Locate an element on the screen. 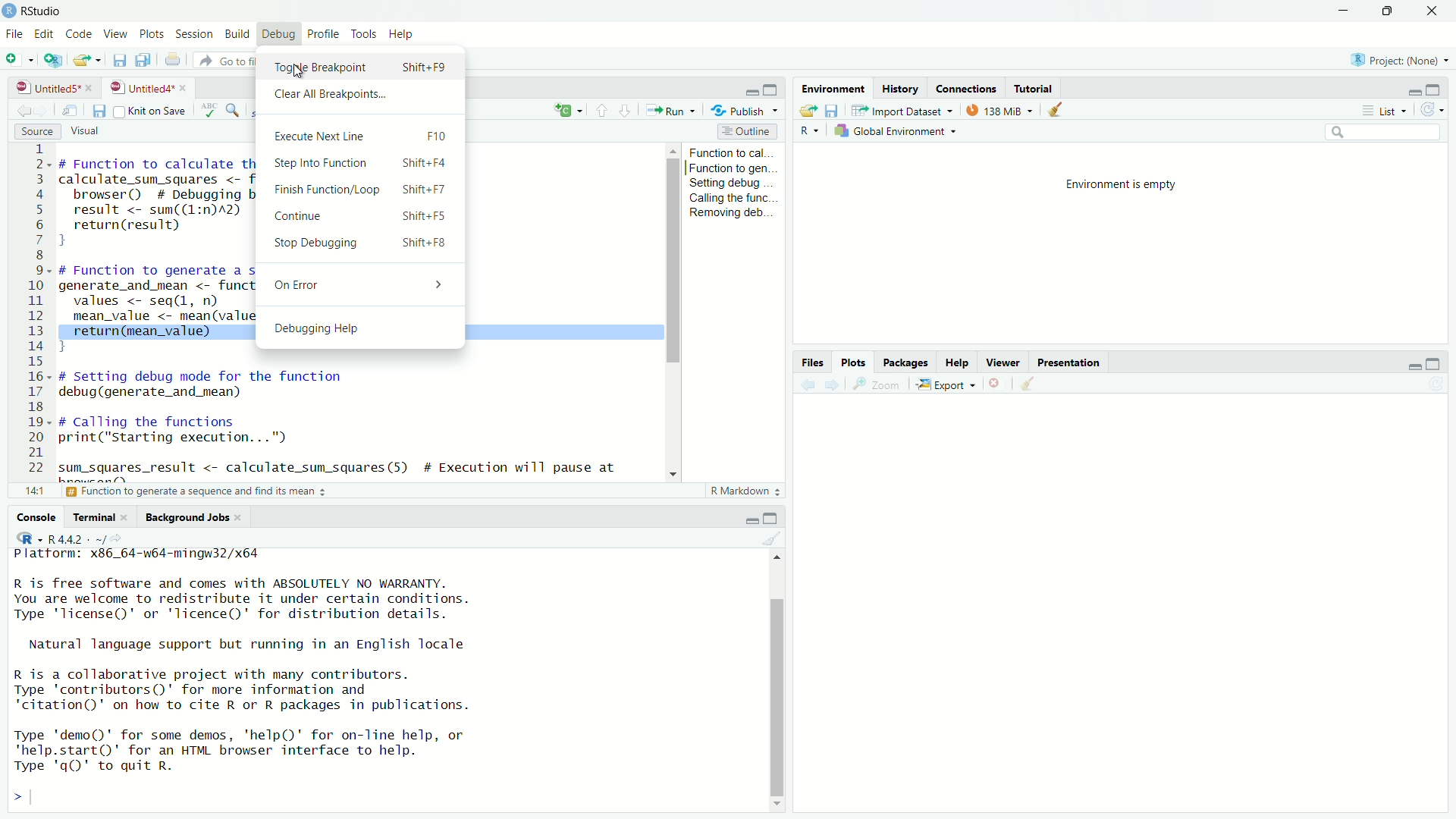 The width and height of the screenshot is (1456, 819). close is located at coordinates (187, 88).